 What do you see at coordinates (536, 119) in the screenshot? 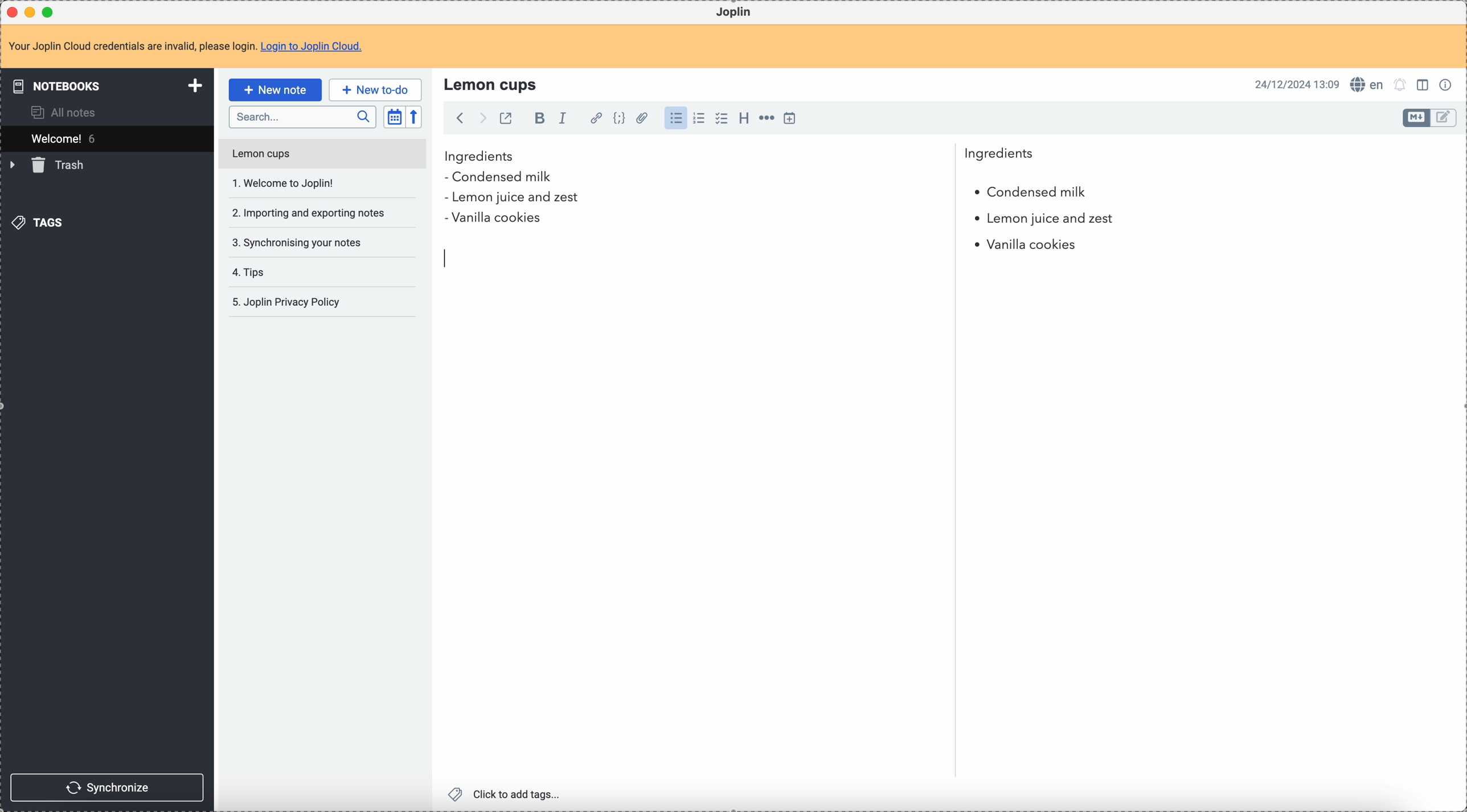
I see `bold` at bounding box center [536, 119].